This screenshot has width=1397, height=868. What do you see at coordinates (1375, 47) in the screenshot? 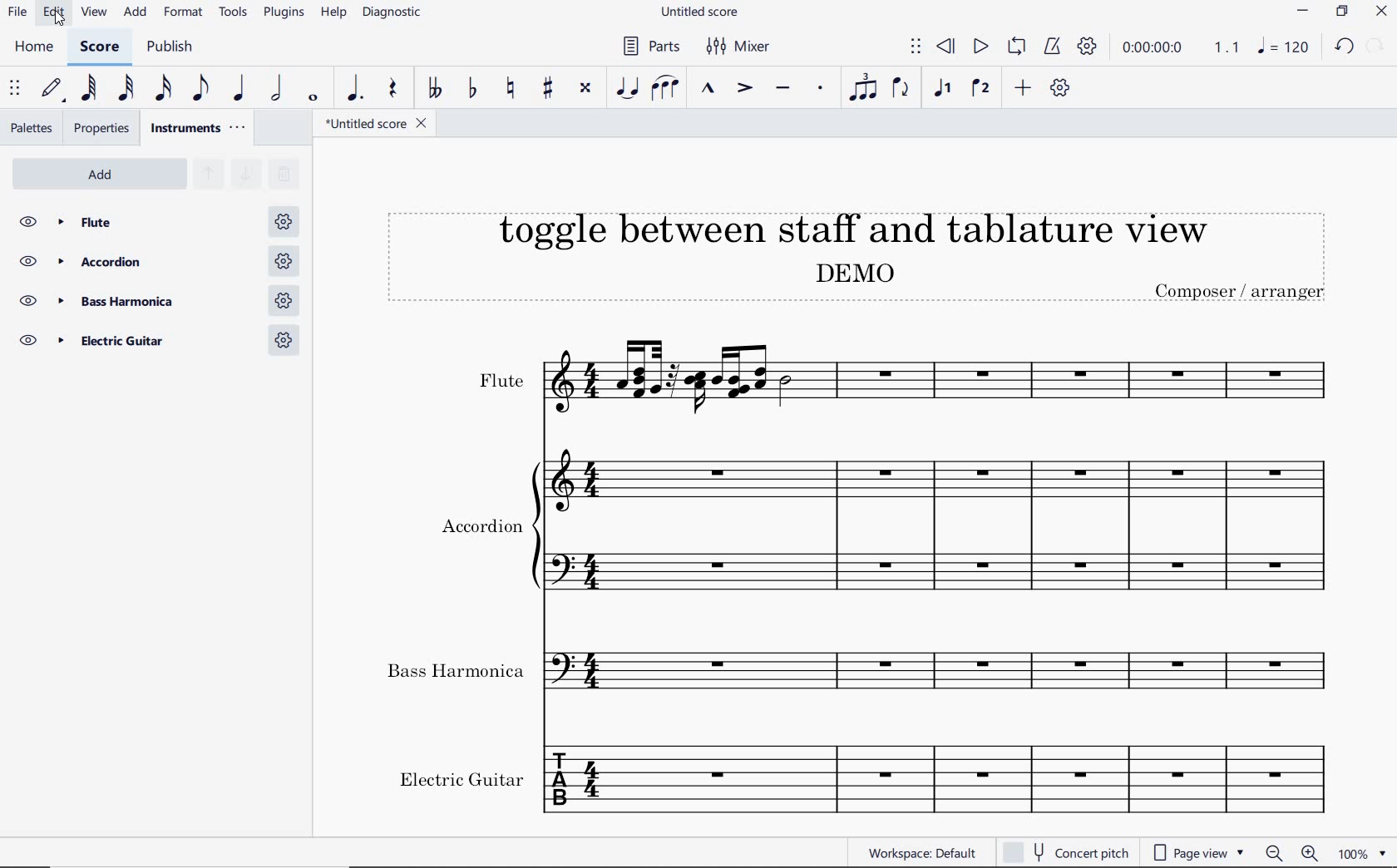
I see `REDO` at bounding box center [1375, 47].